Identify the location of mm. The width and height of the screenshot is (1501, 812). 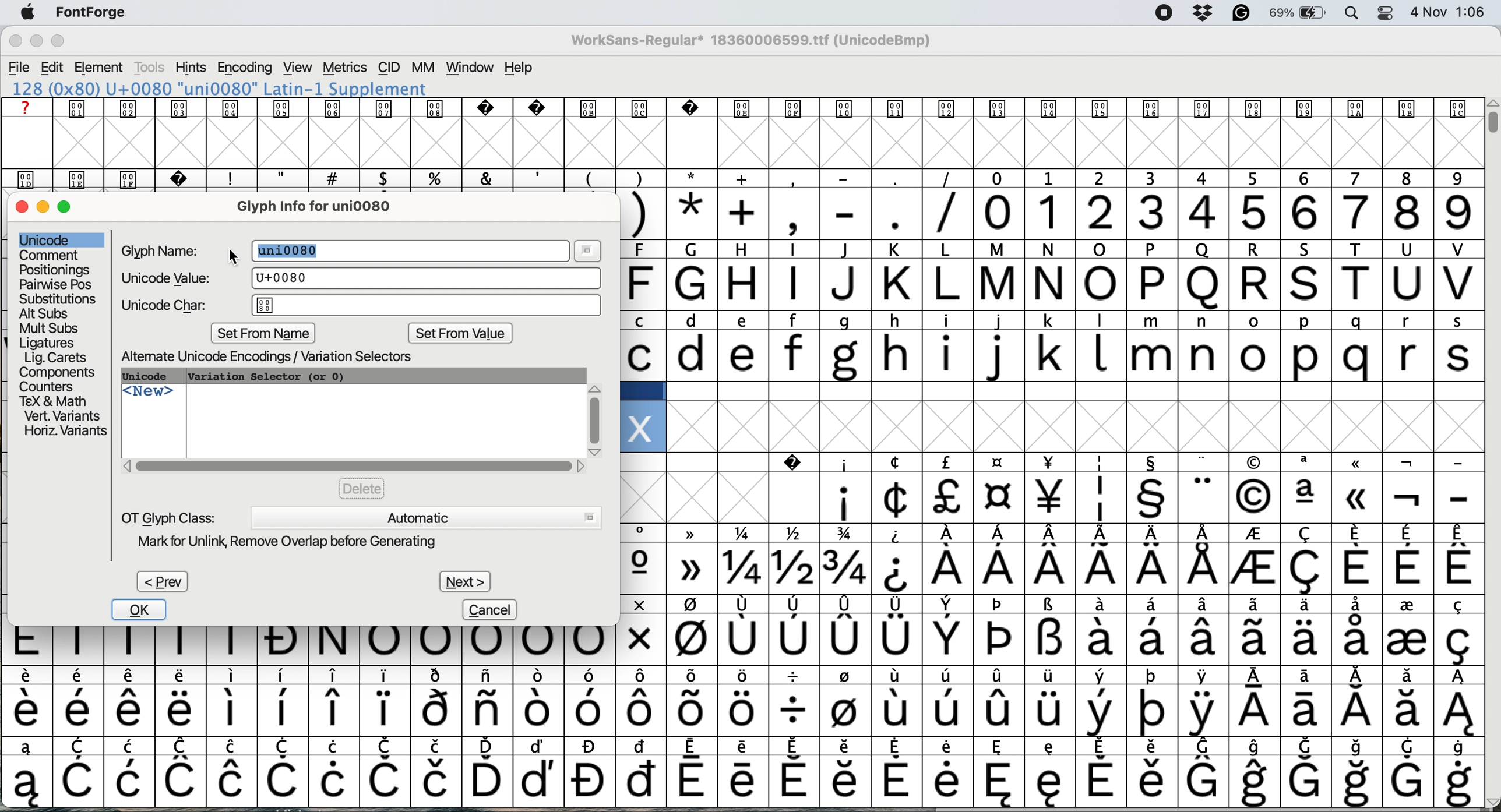
(422, 68).